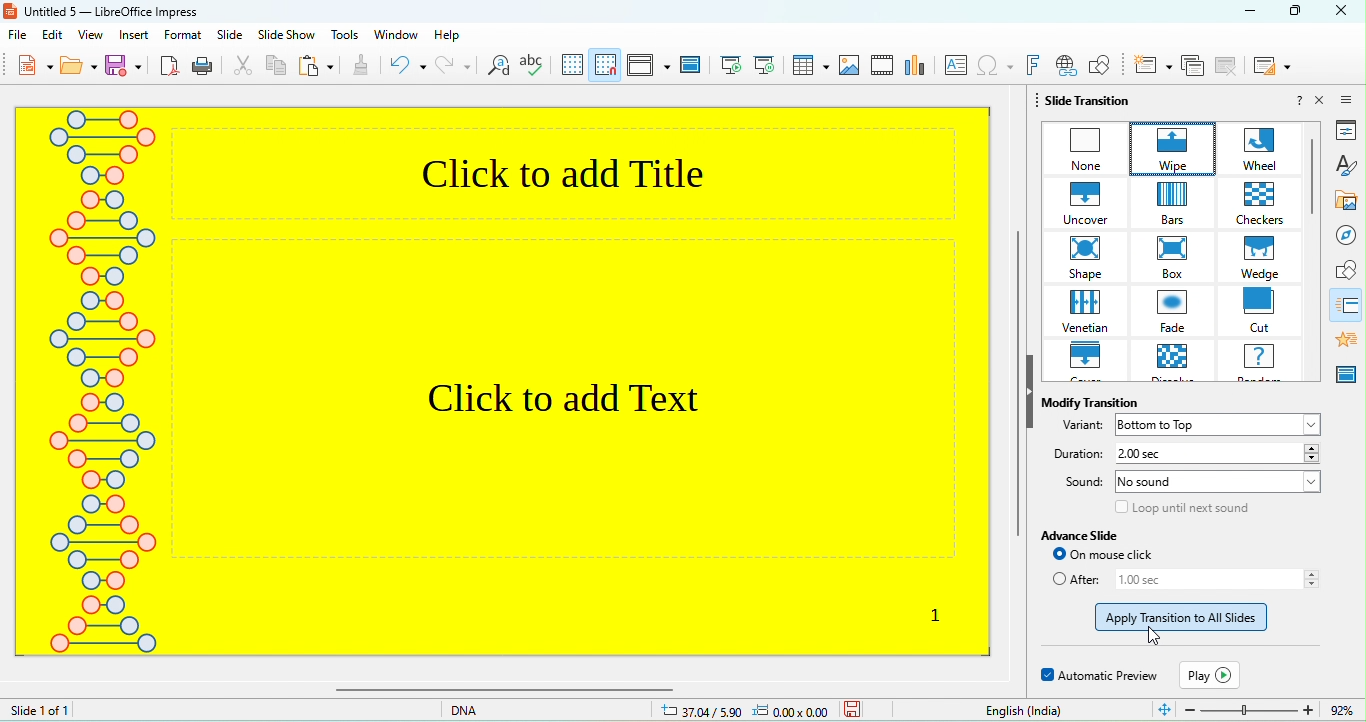 Image resolution: width=1366 pixels, height=722 pixels. Describe the element at coordinates (1078, 427) in the screenshot. I see `variant` at that location.